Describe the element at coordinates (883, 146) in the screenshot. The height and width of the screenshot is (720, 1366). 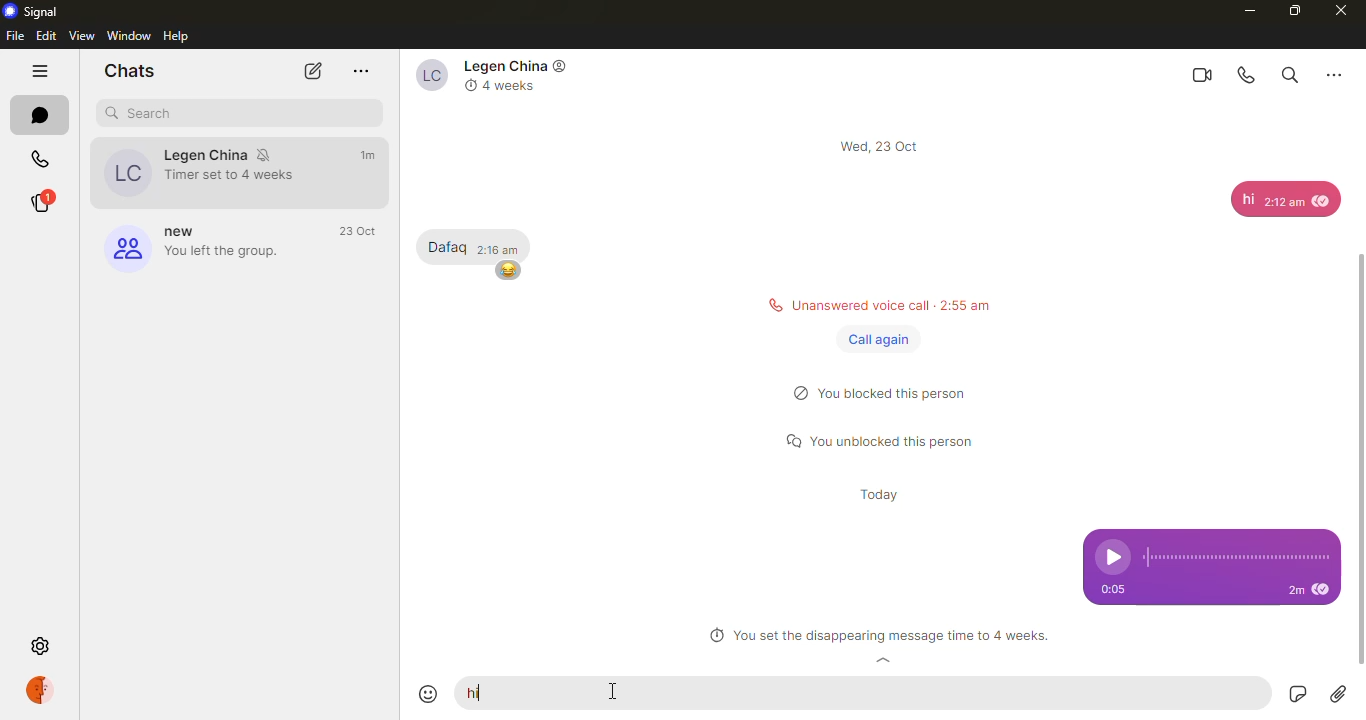
I see `wed, 23 oct` at that location.